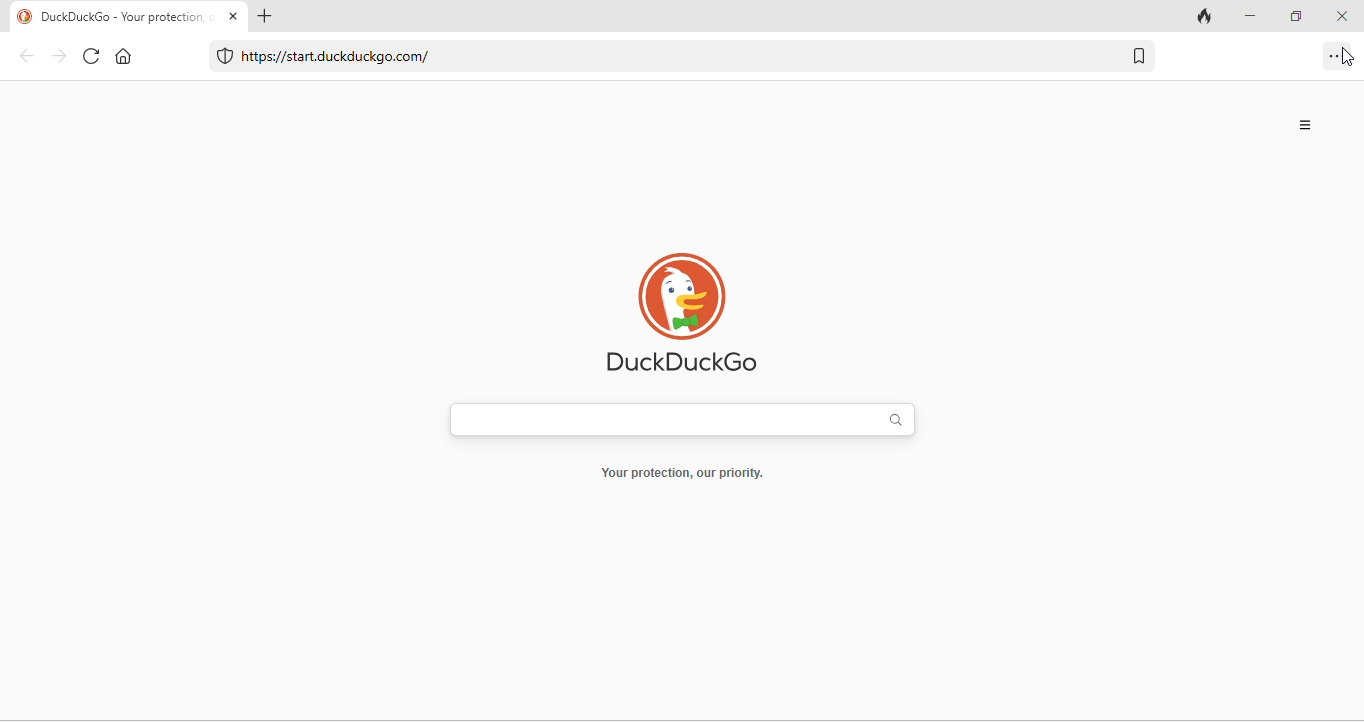 This screenshot has width=1364, height=722. Describe the element at coordinates (1136, 54) in the screenshot. I see `add bookmark` at that location.